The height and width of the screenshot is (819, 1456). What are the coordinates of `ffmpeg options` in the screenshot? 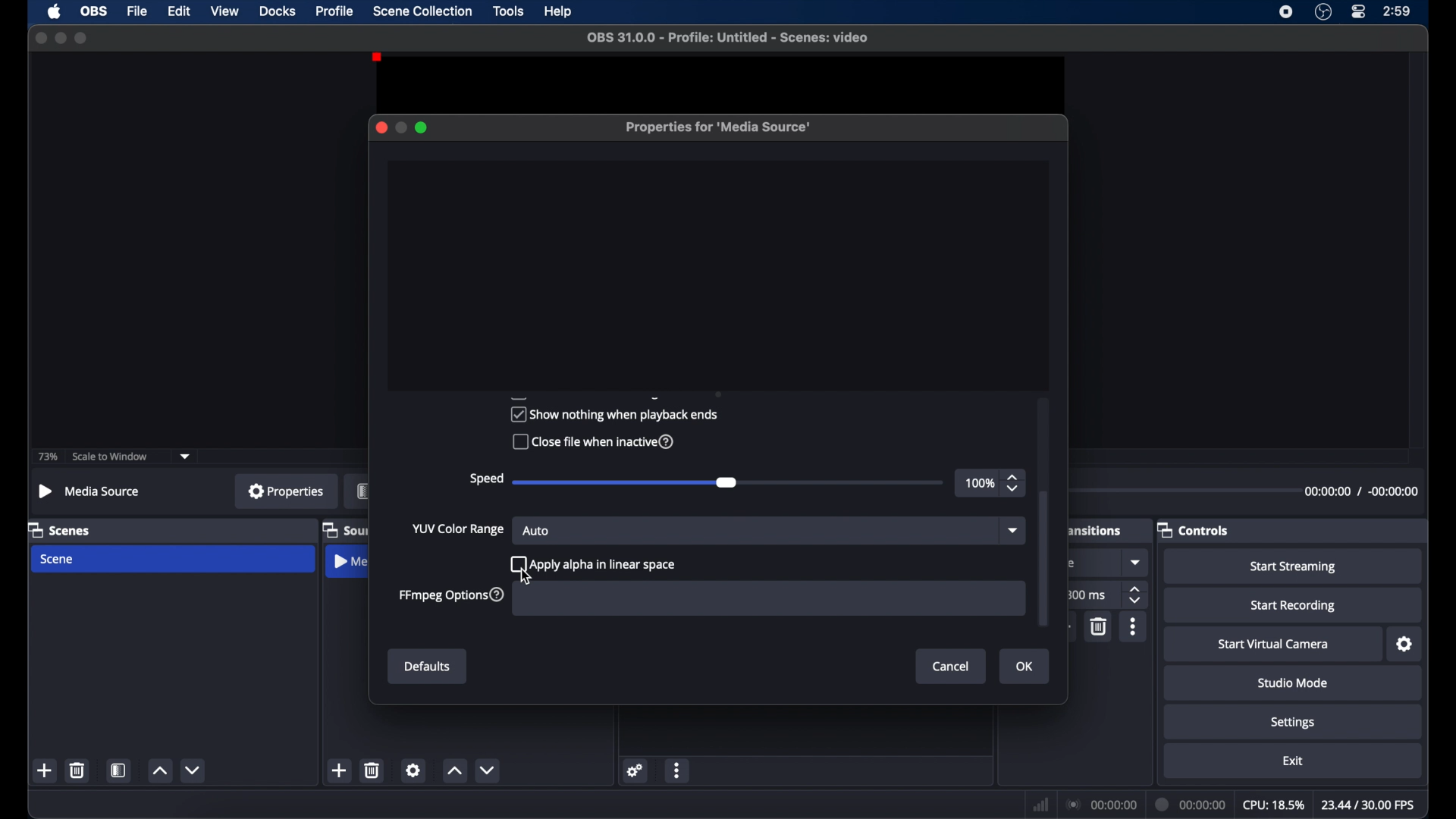 It's located at (452, 595).